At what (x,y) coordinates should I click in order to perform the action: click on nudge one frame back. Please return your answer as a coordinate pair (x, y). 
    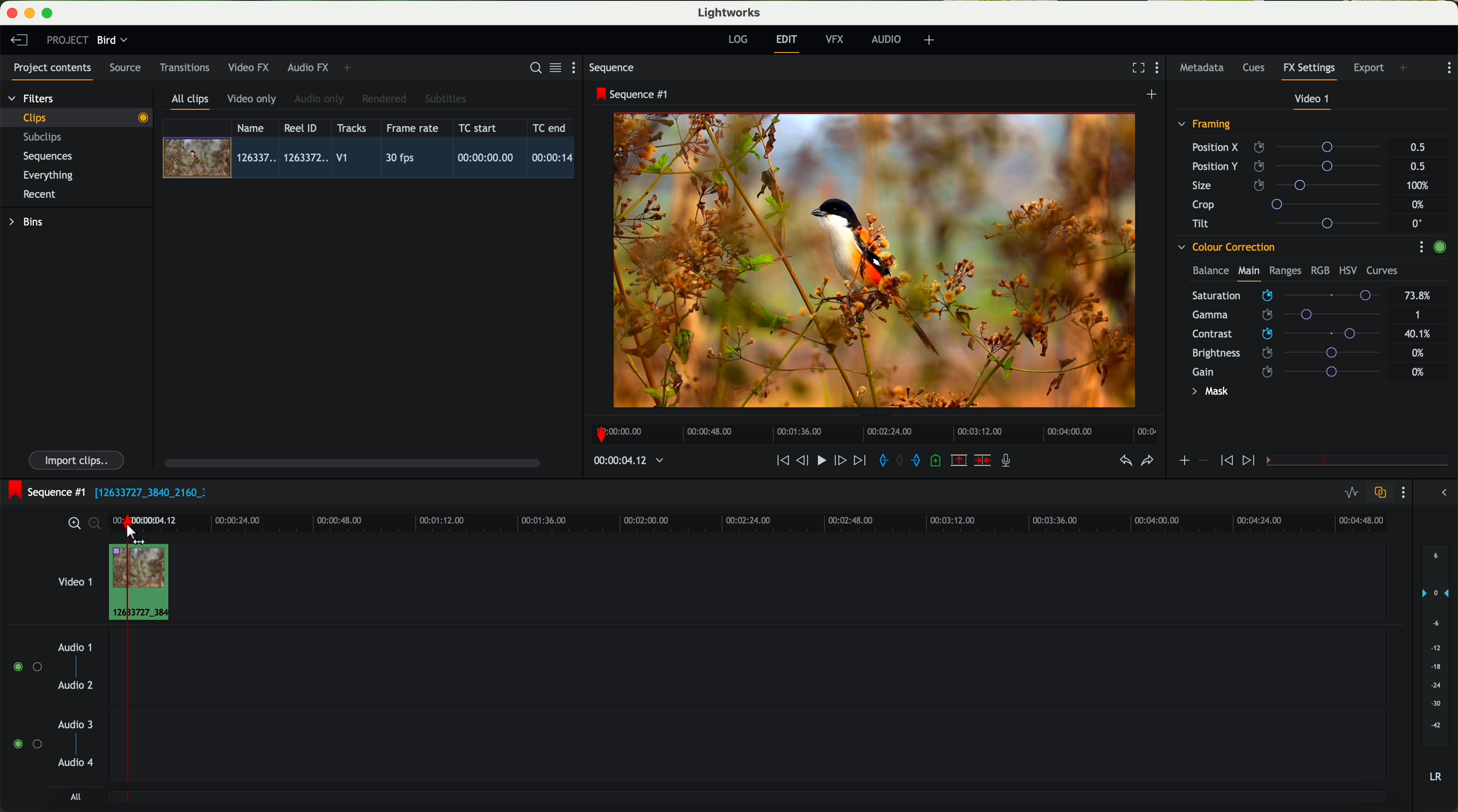
    Looking at the image, I should click on (804, 462).